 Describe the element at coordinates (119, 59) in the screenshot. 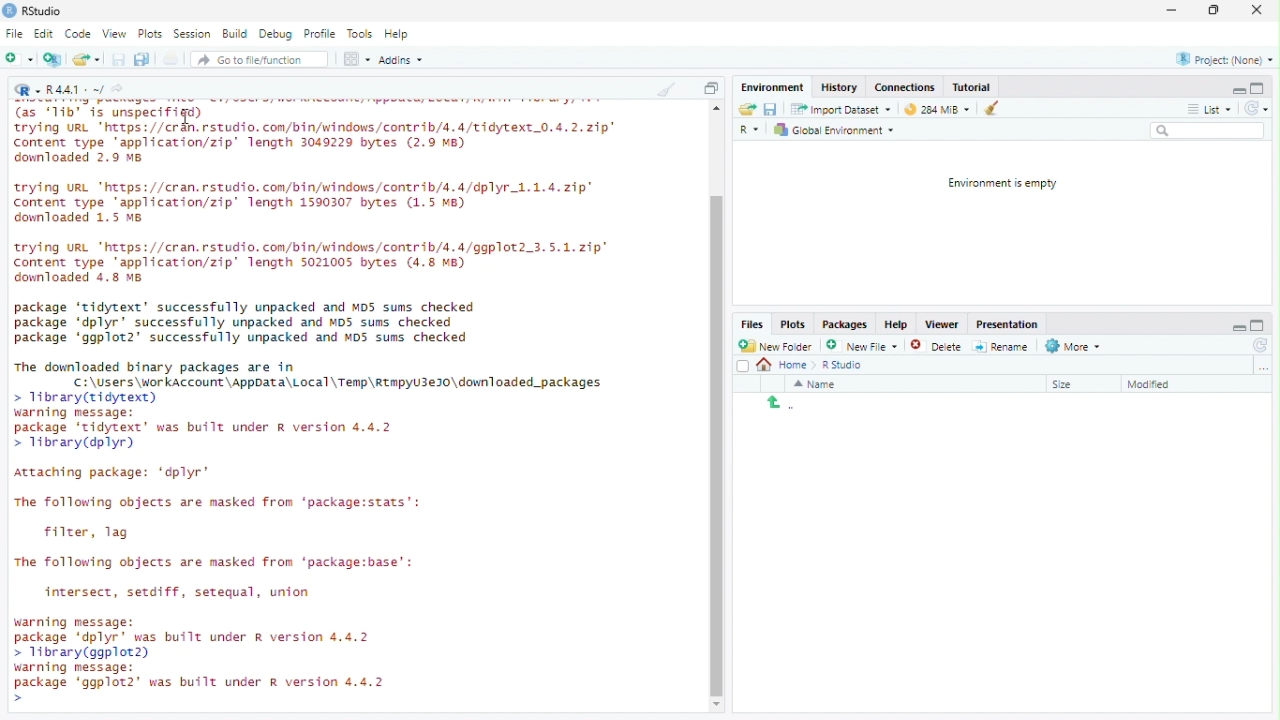

I see `Save` at that location.